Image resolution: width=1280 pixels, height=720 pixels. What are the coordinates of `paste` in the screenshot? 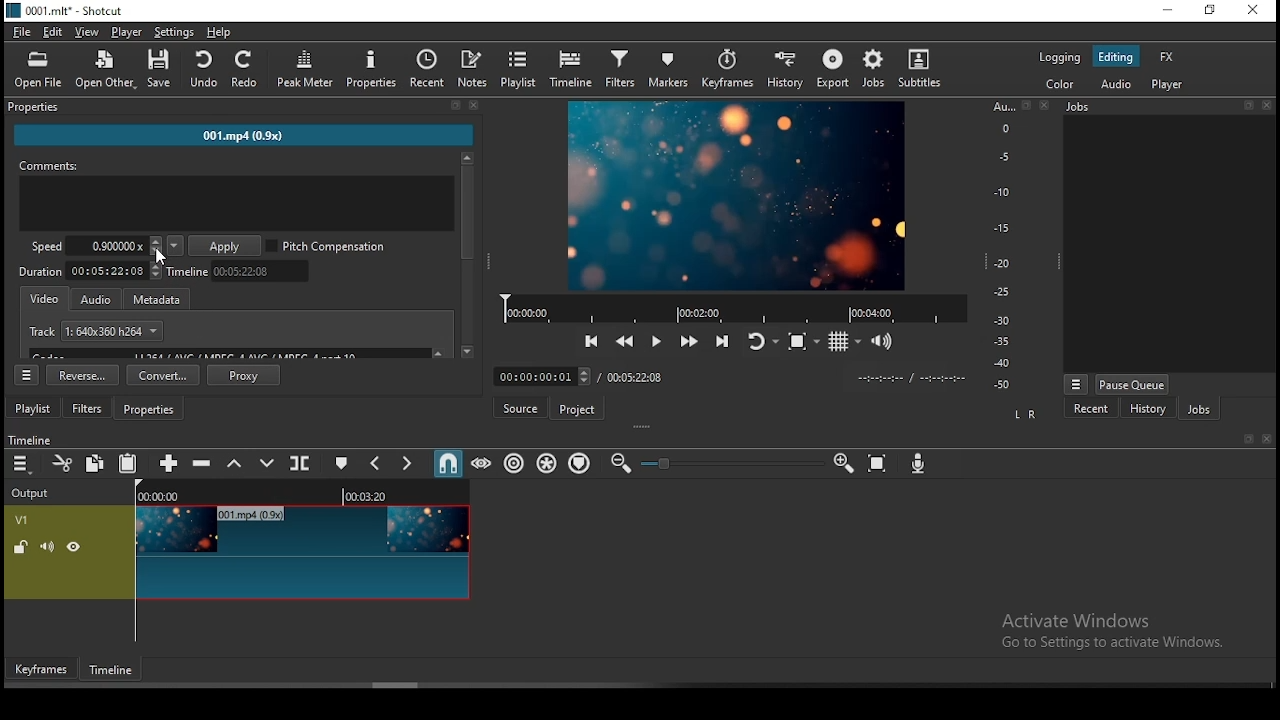 It's located at (127, 465).